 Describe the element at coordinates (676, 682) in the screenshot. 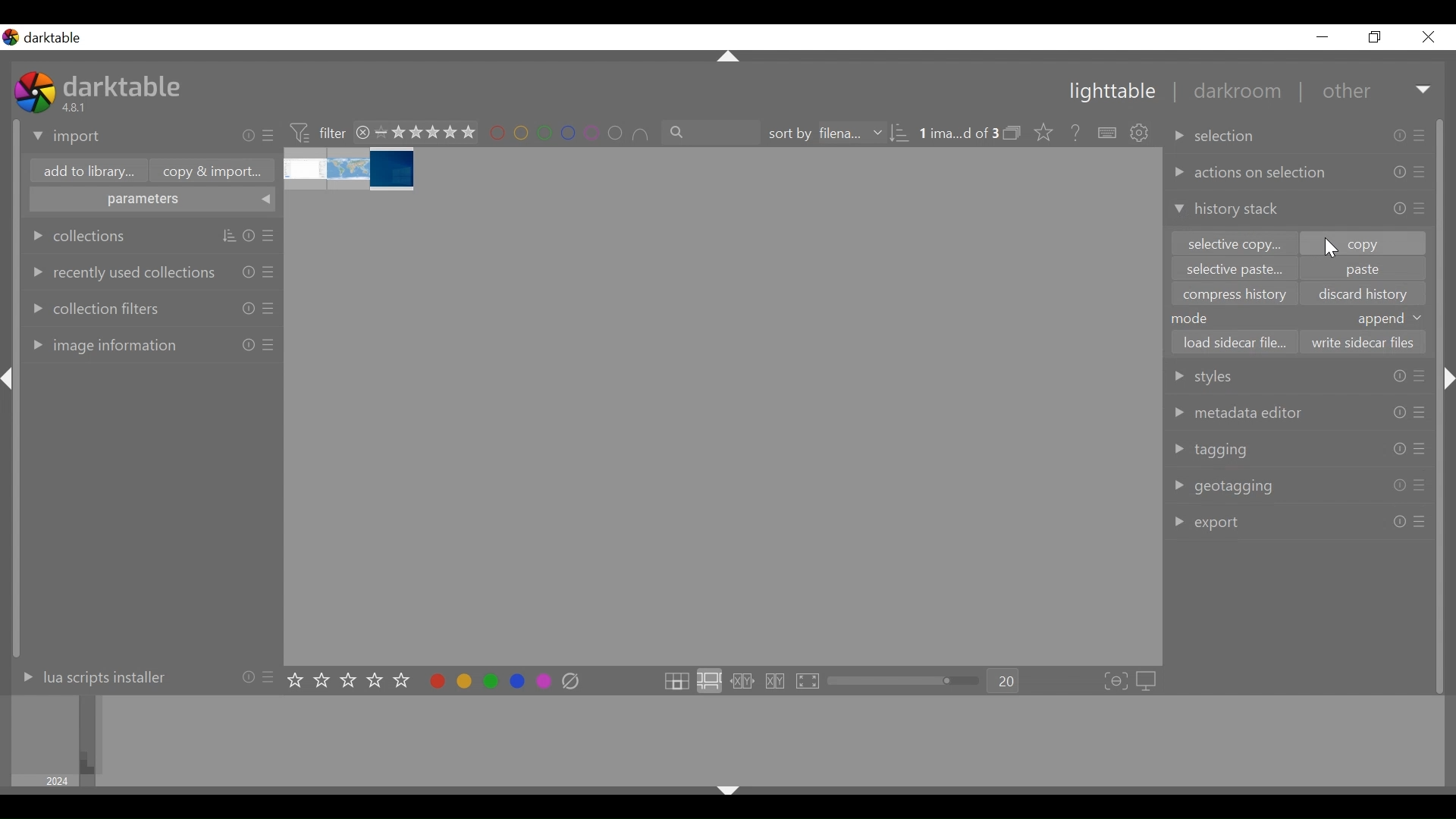

I see `click to enter filemanger` at that location.